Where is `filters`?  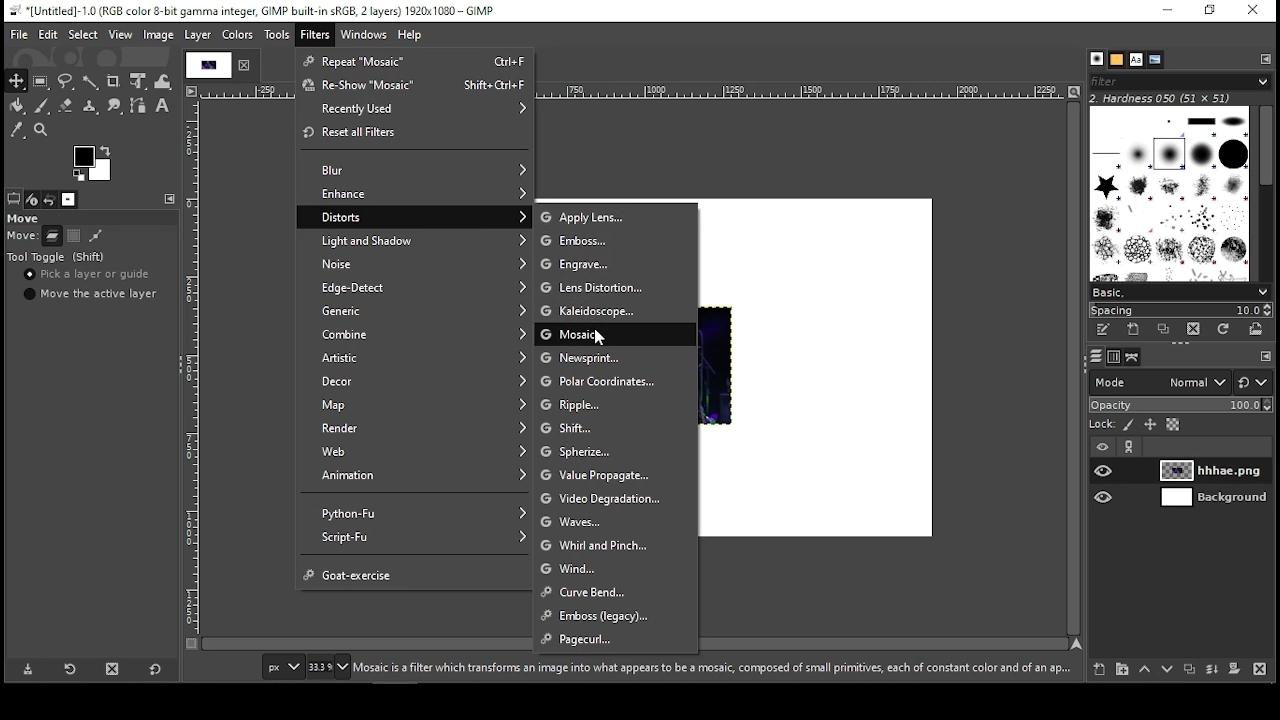 filters is located at coordinates (314, 32).